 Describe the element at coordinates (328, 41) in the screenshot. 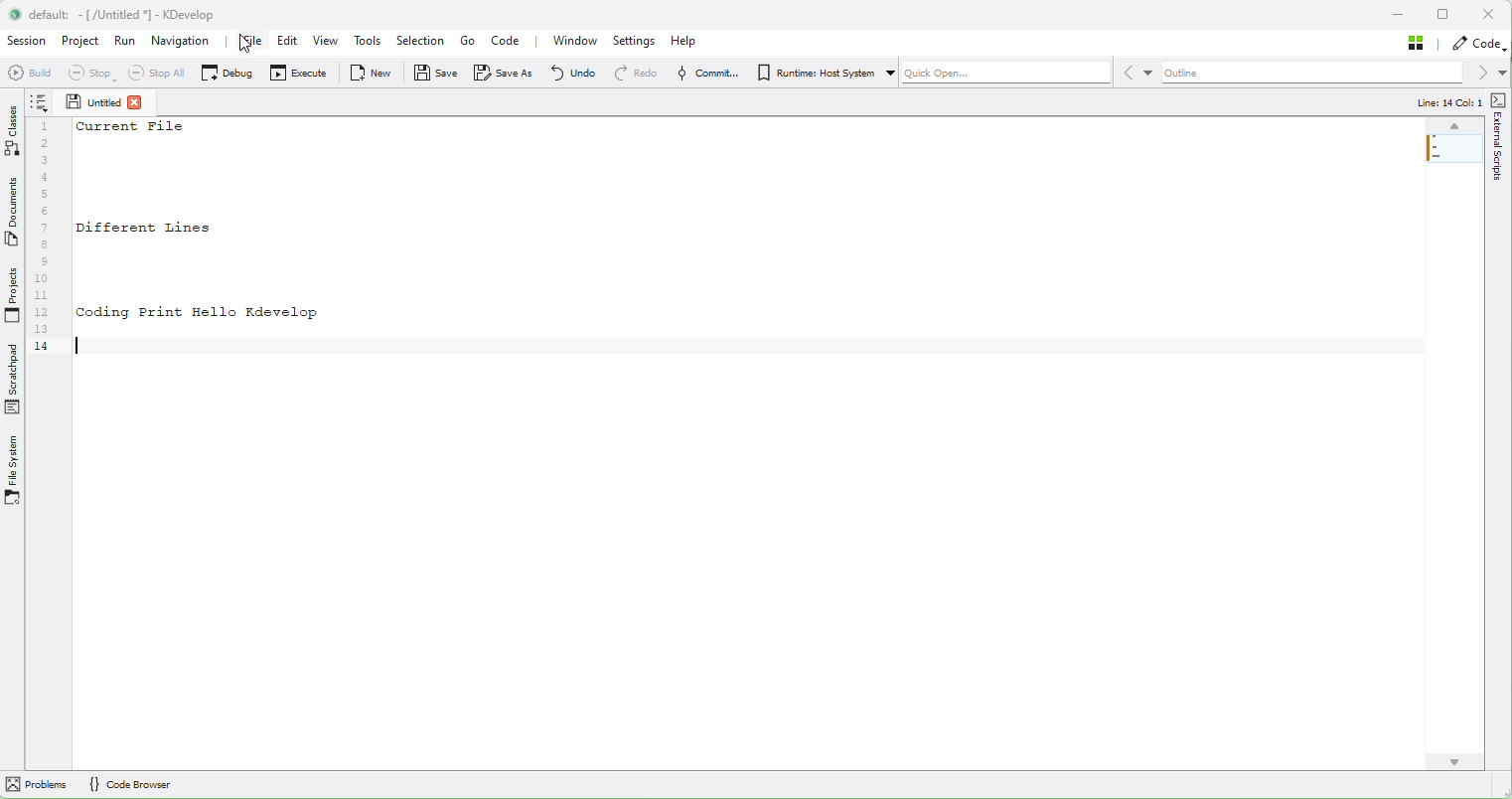

I see `View` at that location.